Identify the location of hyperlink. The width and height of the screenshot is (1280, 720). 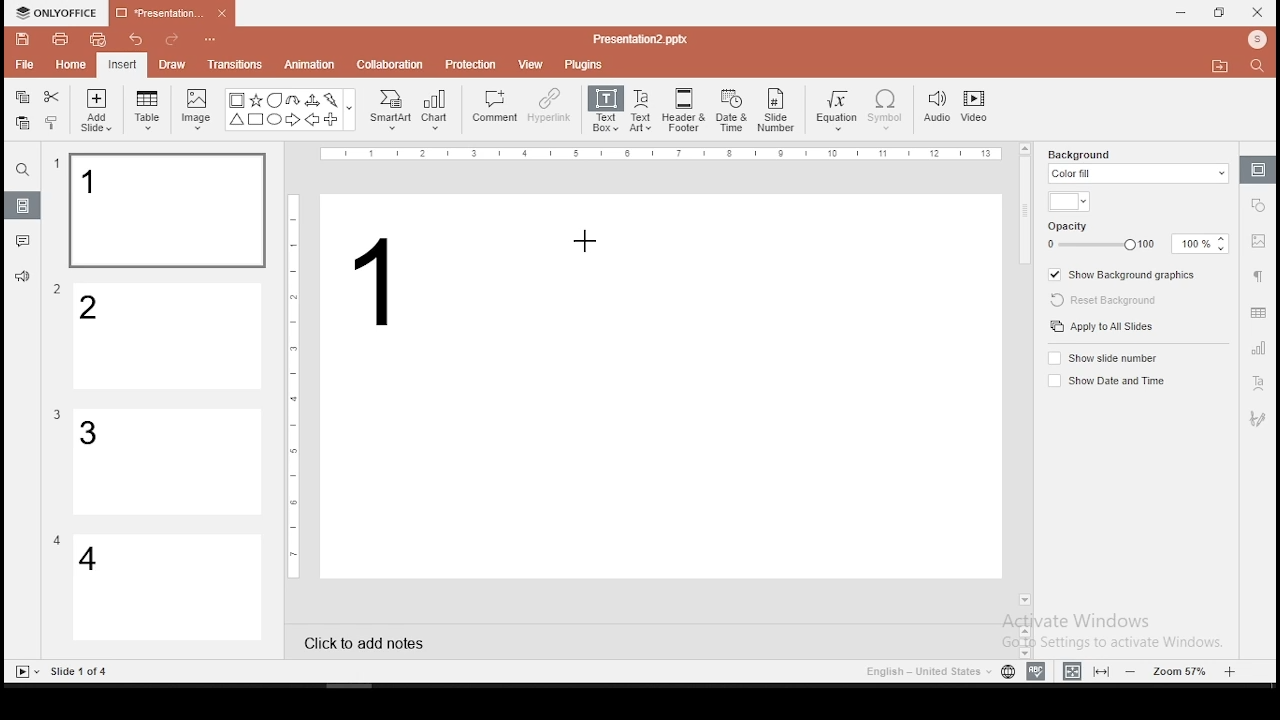
(548, 105).